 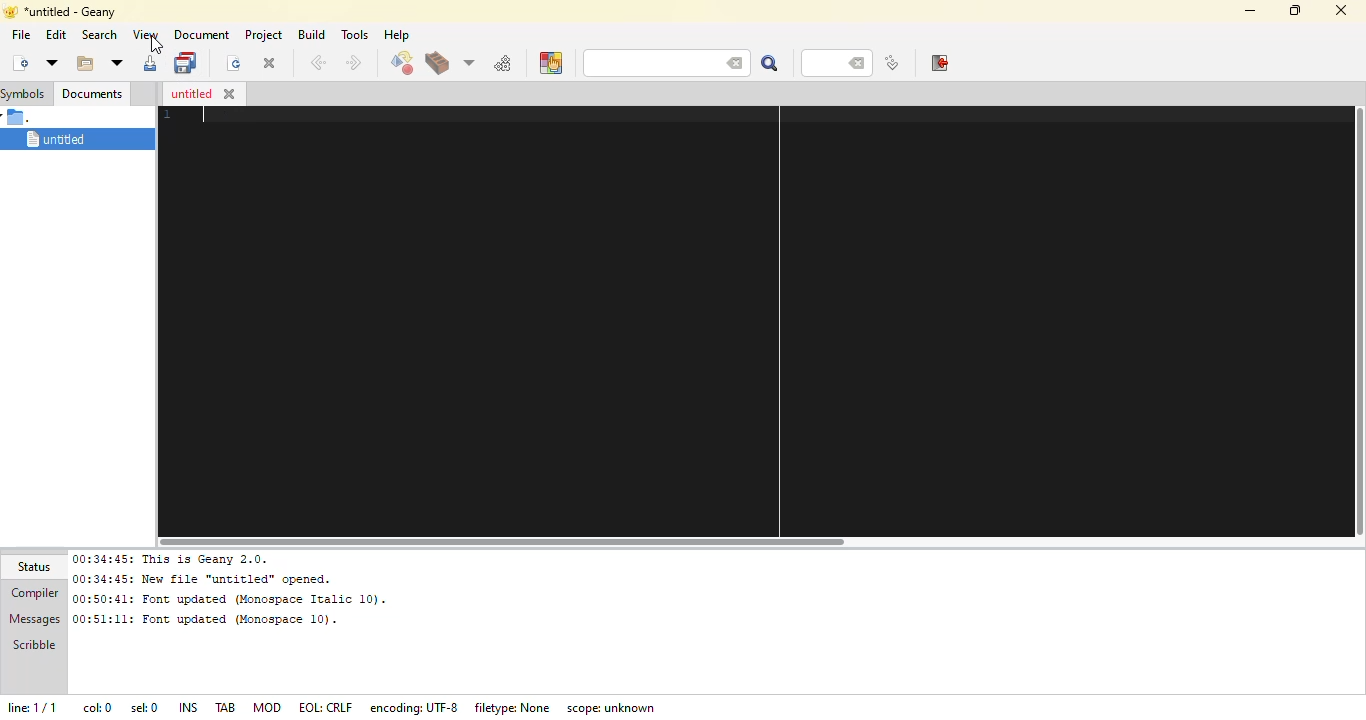 What do you see at coordinates (1293, 9) in the screenshot?
I see `maximize` at bounding box center [1293, 9].